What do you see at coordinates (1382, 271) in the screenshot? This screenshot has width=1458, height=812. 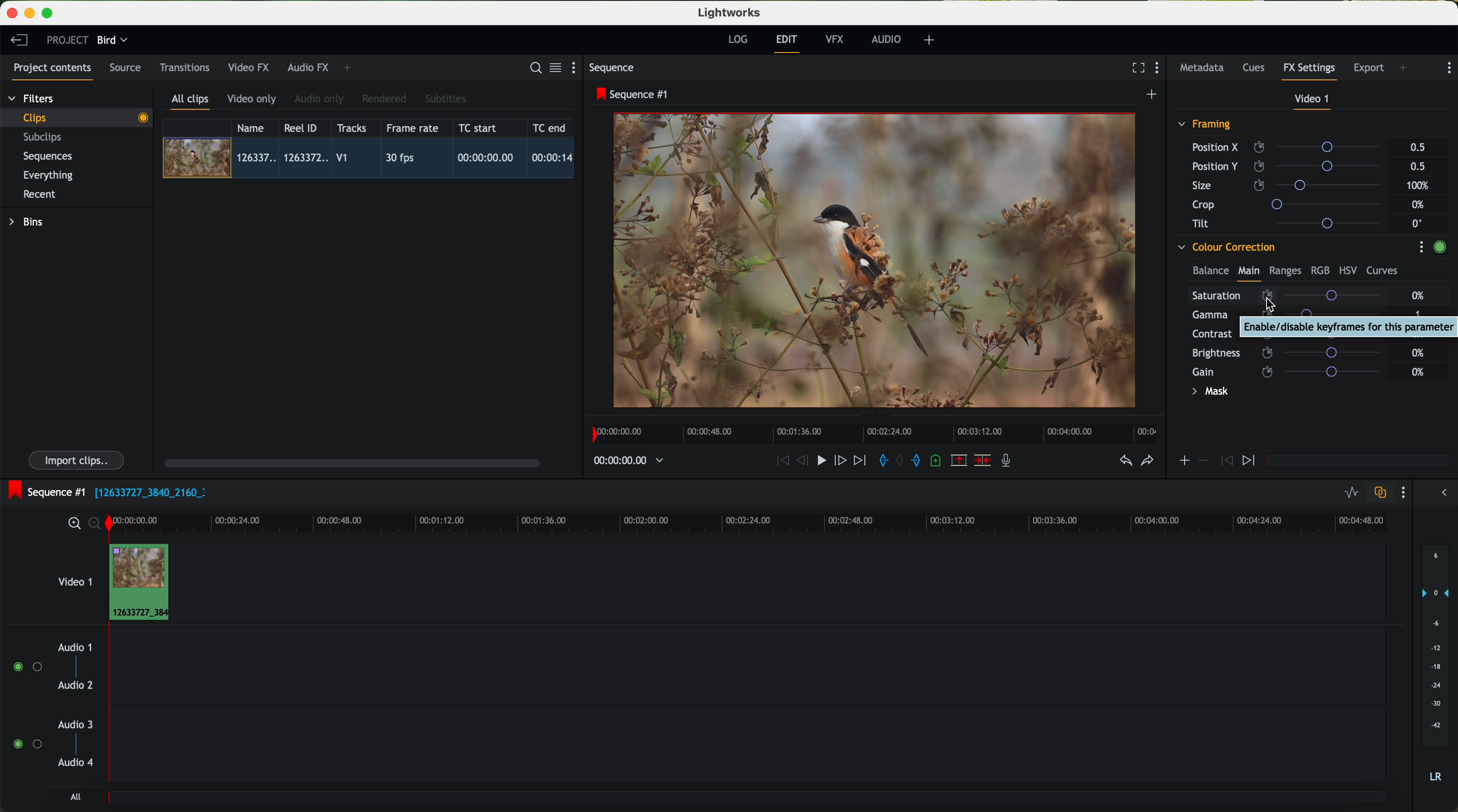 I see `curves` at bounding box center [1382, 271].